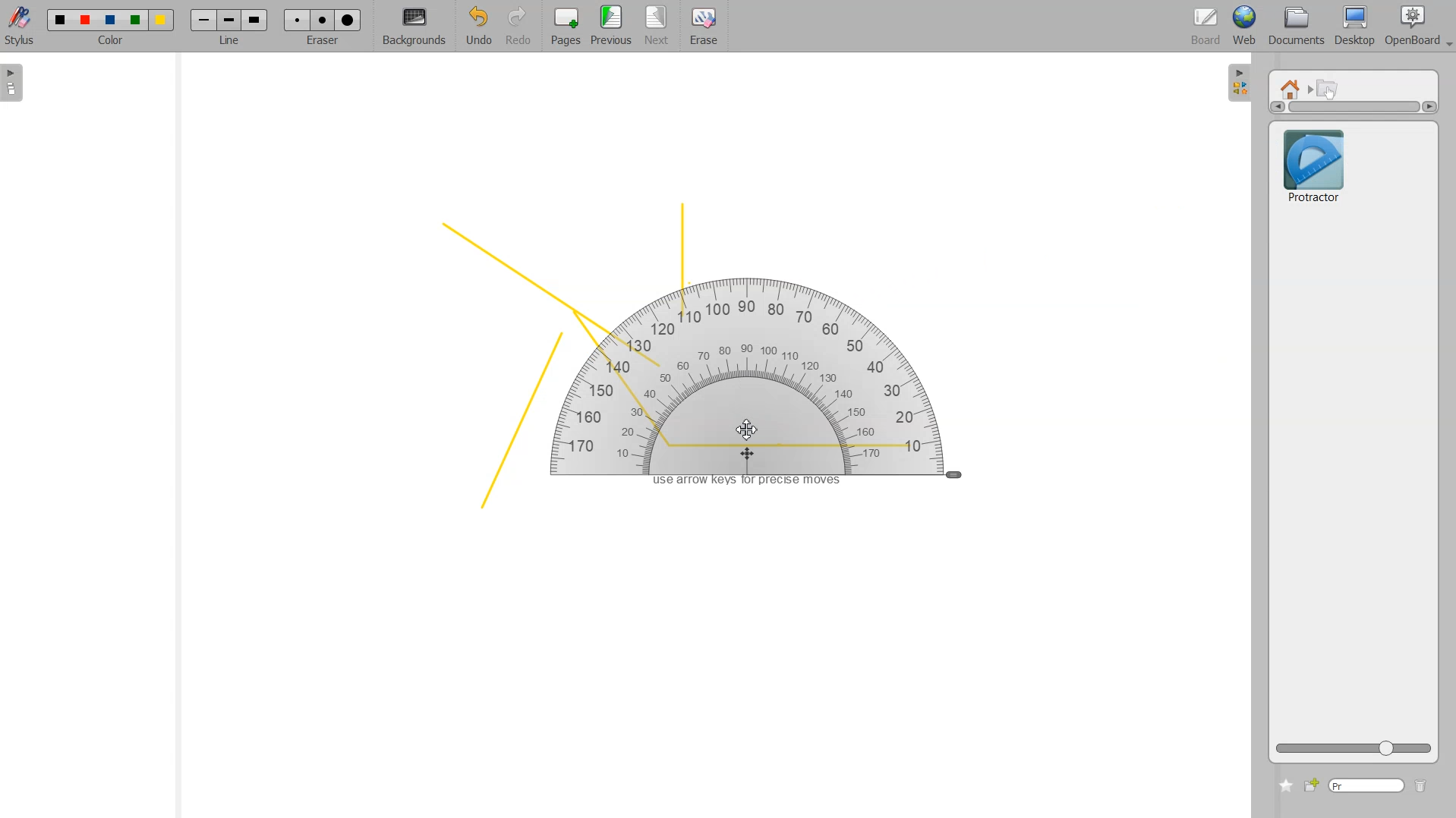  I want to click on Add new file, so click(1310, 785).